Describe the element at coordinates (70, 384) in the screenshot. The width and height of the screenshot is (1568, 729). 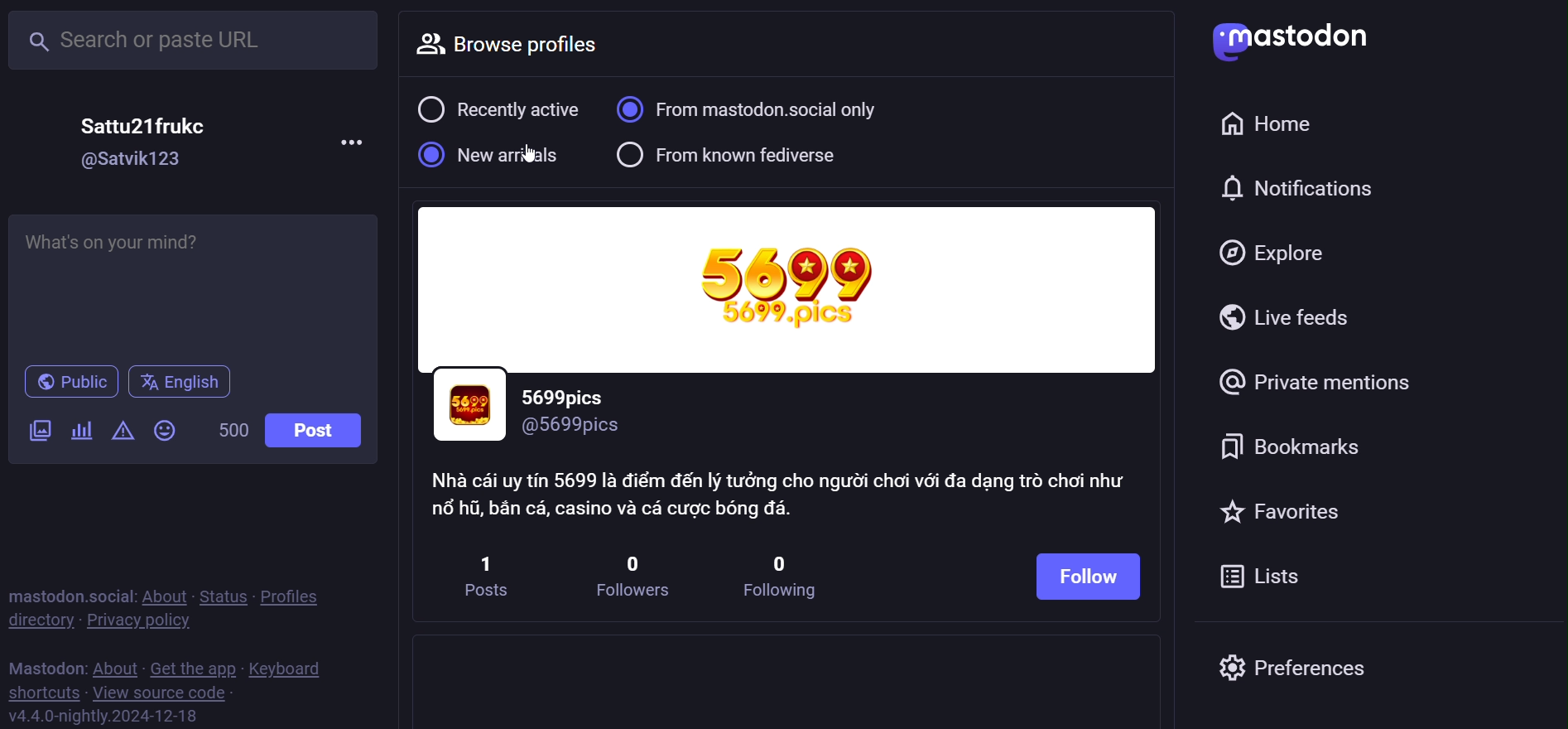
I see `public` at that location.